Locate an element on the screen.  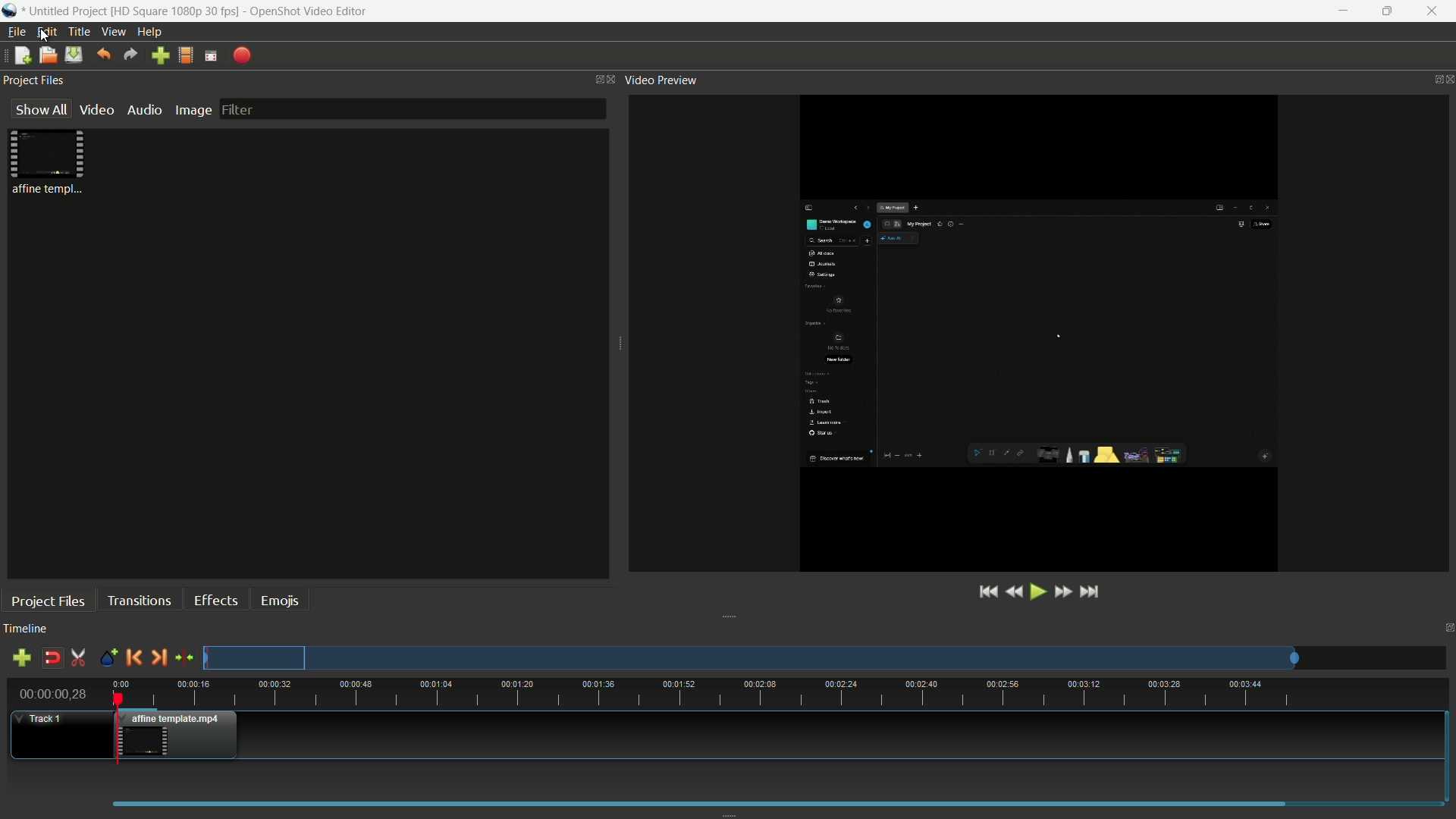
save file is located at coordinates (74, 55).